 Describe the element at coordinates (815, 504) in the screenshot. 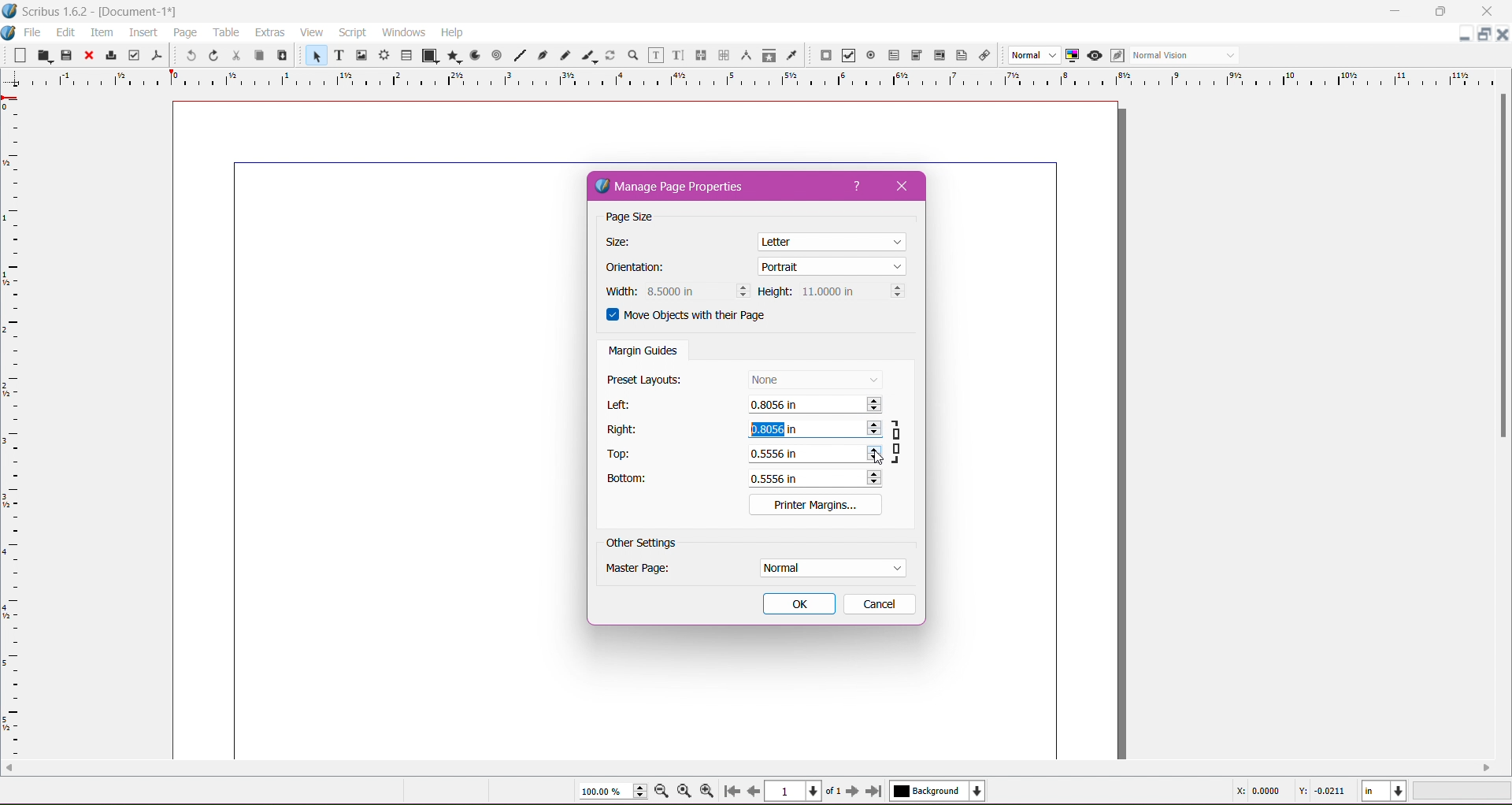

I see `Printer Margins` at that location.